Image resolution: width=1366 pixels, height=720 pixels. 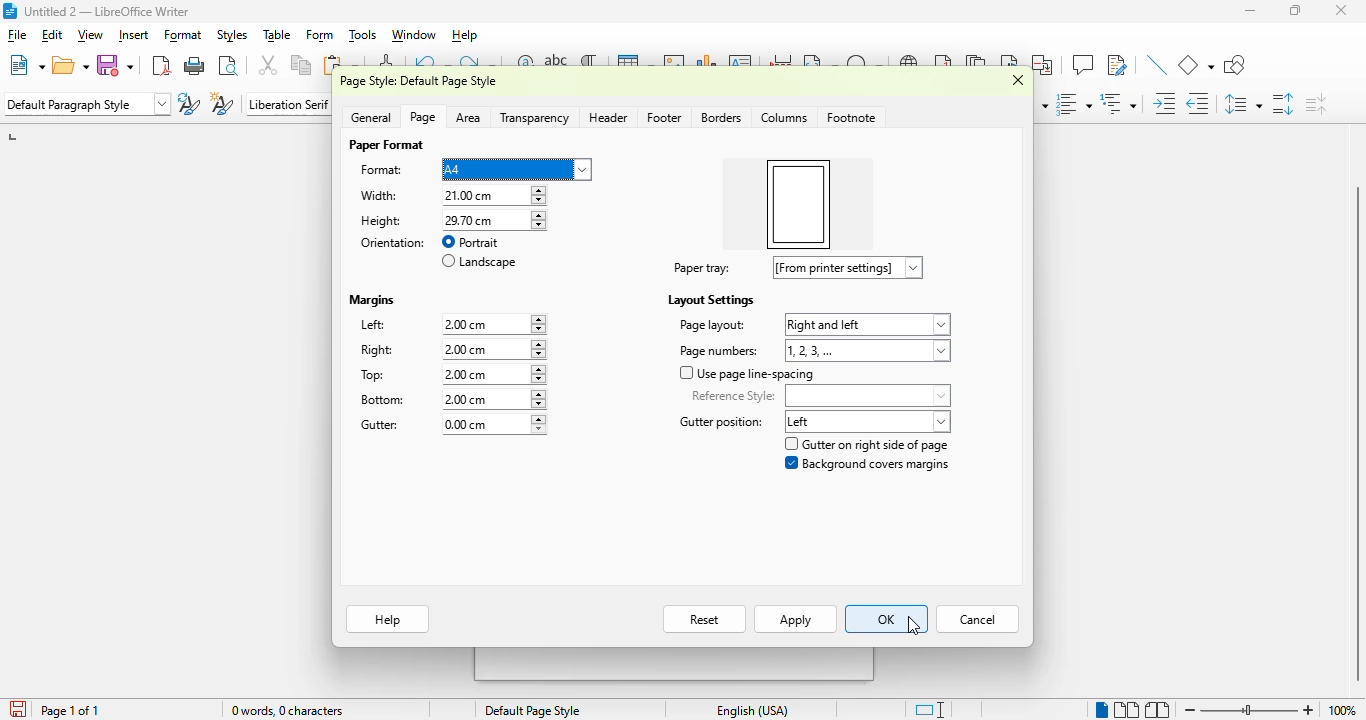 What do you see at coordinates (223, 103) in the screenshot?
I see `new style from selection` at bounding box center [223, 103].